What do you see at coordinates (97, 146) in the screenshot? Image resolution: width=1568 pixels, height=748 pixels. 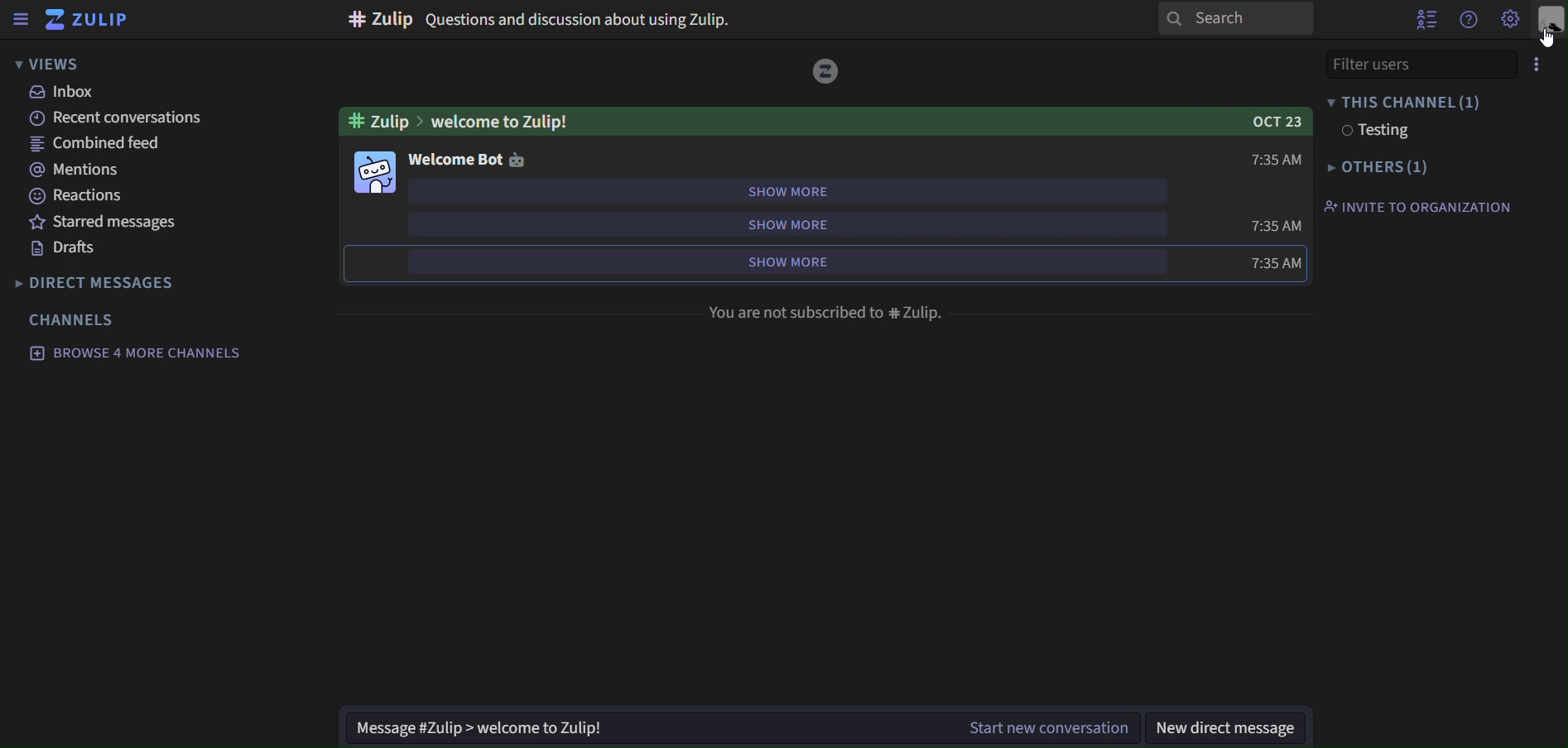 I see `combined feed` at bounding box center [97, 146].